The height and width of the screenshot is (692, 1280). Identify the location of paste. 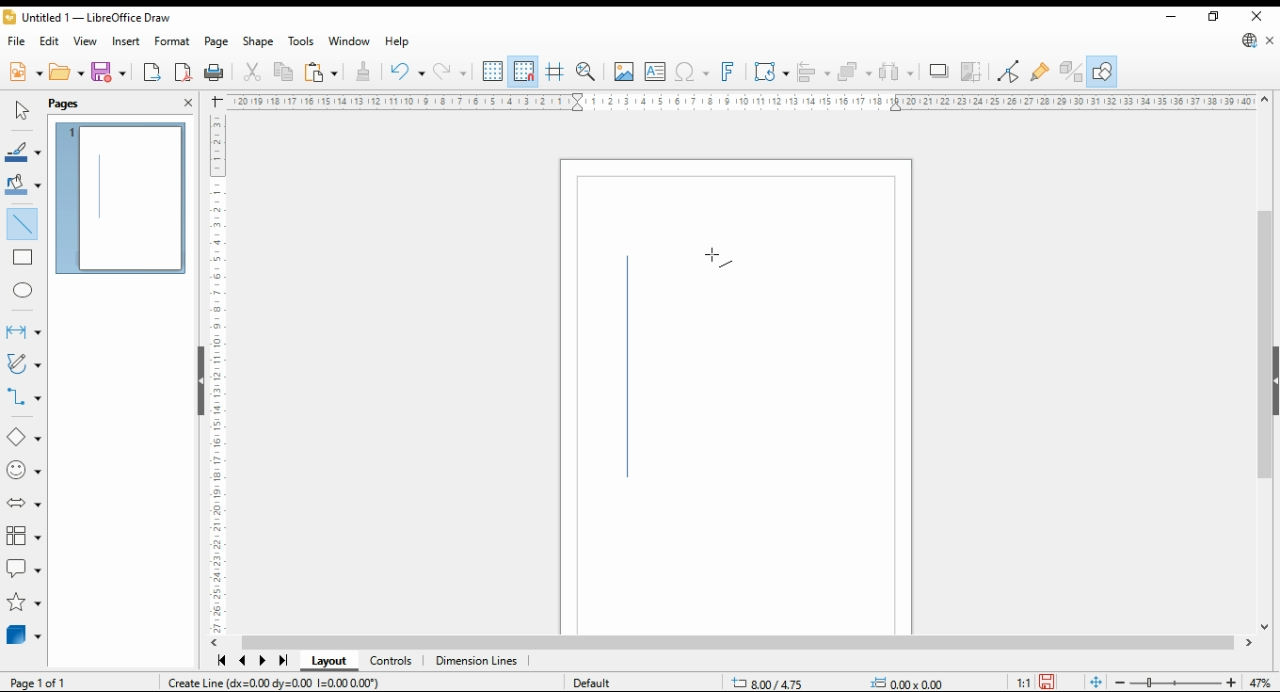
(319, 72).